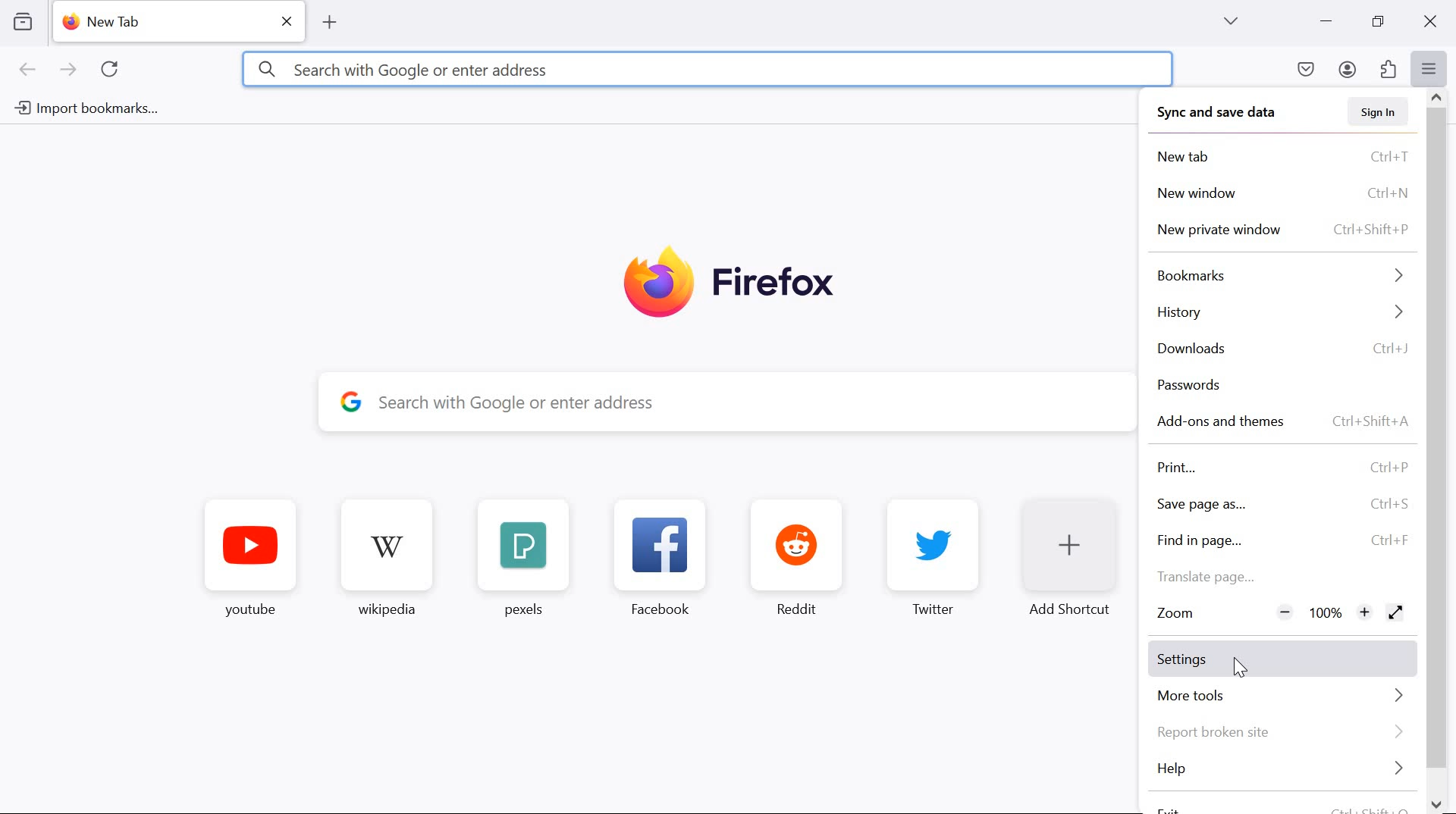  Describe the element at coordinates (731, 281) in the screenshot. I see `Firefox logo` at that location.